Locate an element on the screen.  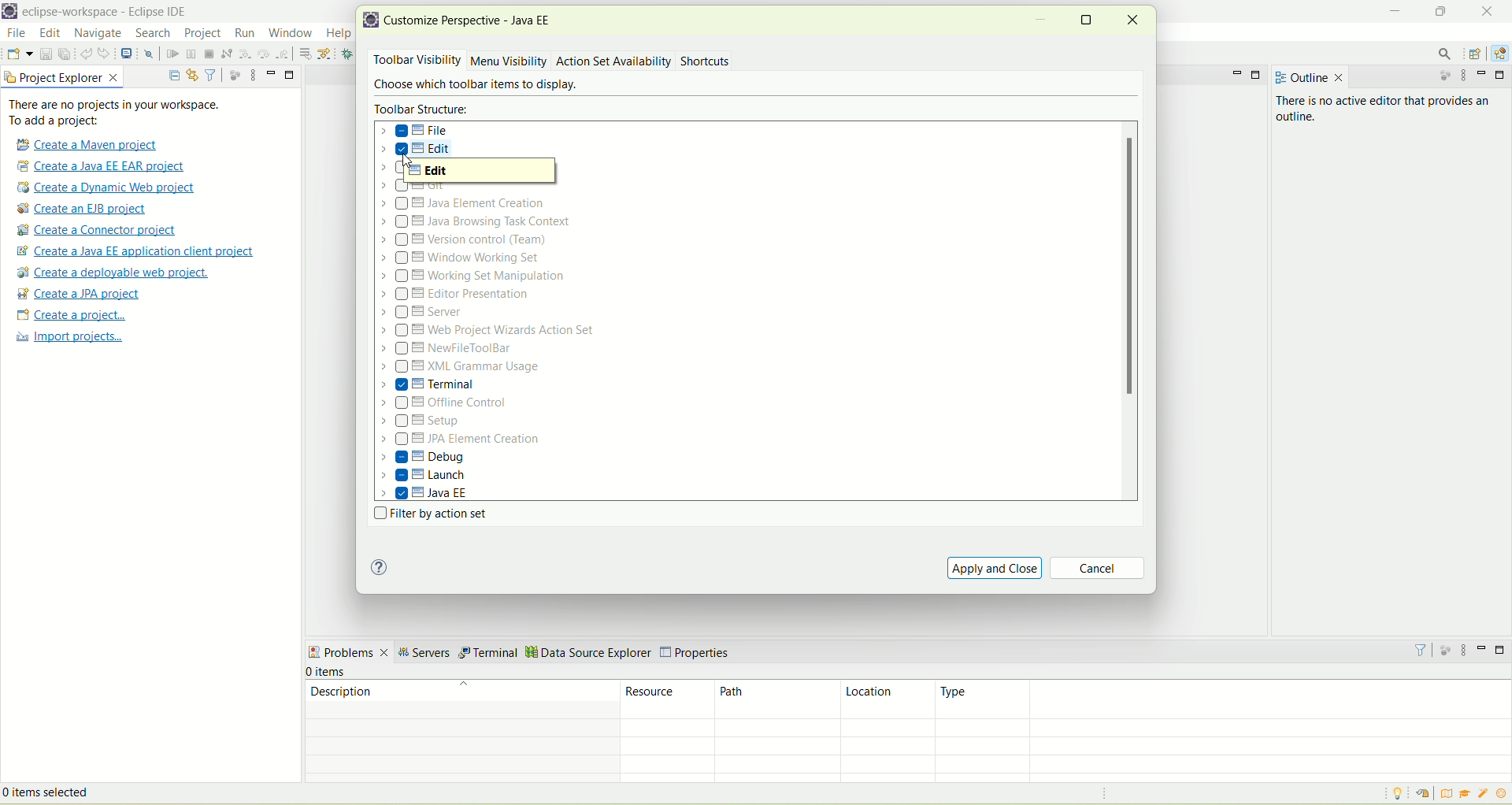
filter by action set is located at coordinates (427, 515).